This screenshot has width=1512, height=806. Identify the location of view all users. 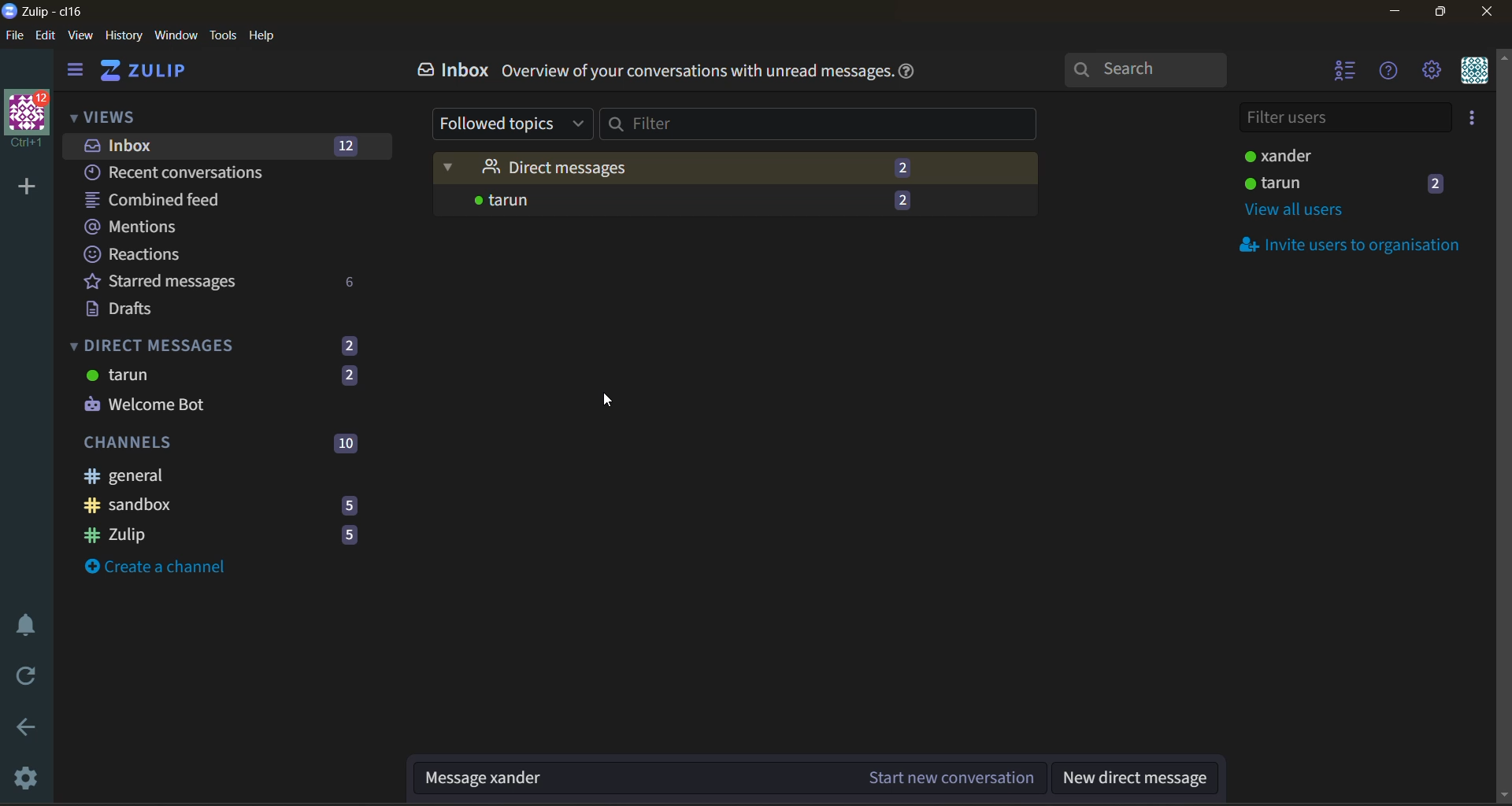
(1300, 212).